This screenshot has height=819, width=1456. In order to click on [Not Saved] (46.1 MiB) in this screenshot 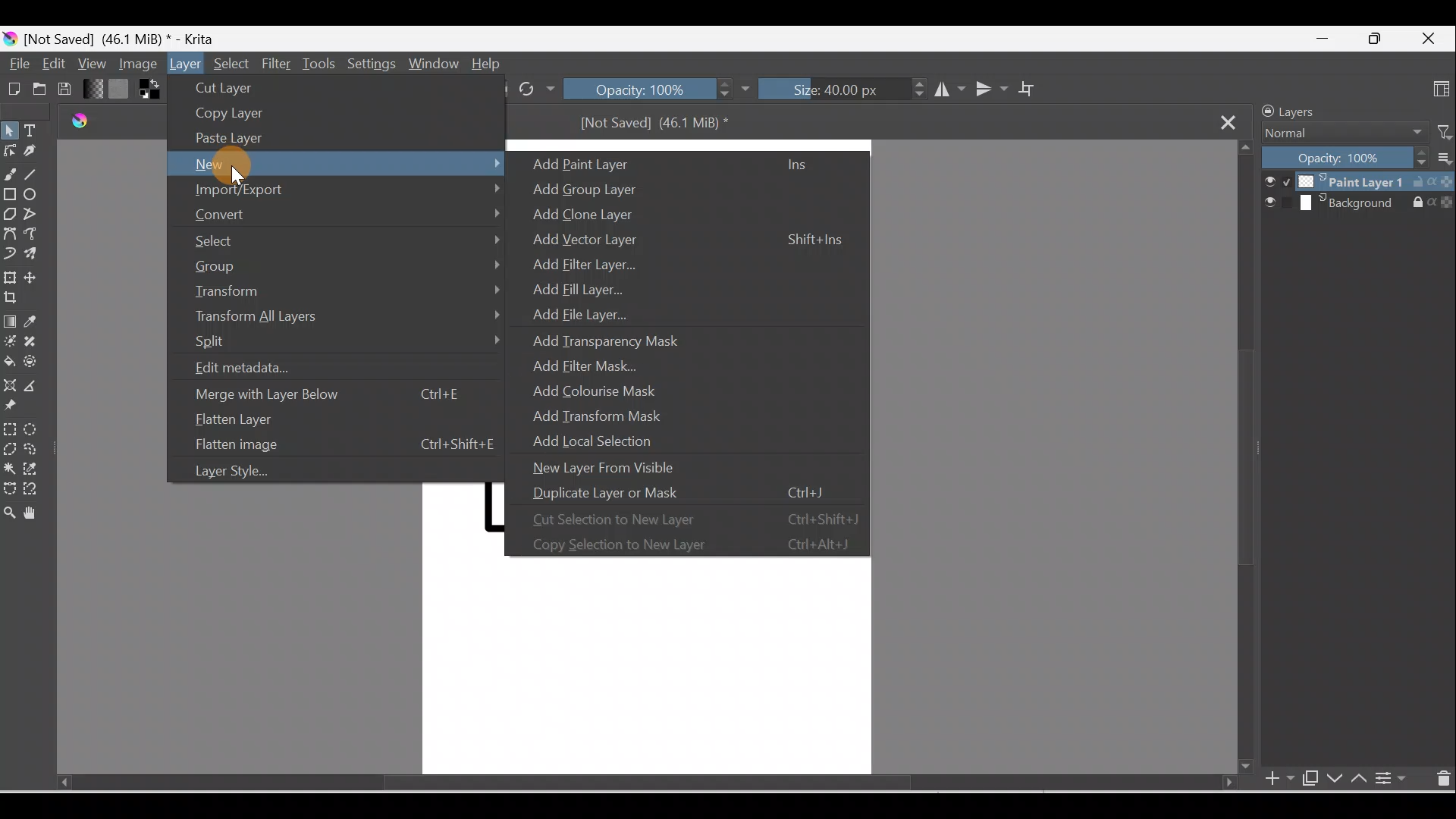, I will do `click(660, 127)`.